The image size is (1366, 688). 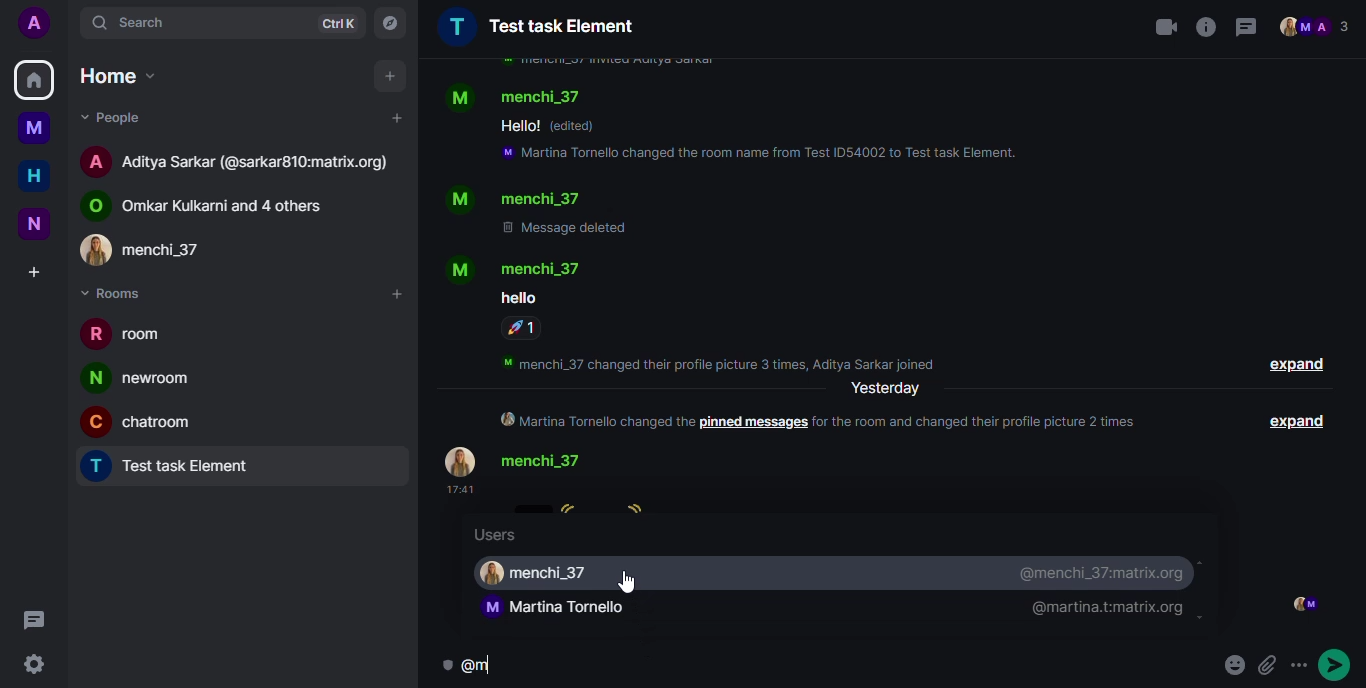 What do you see at coordinates (577, 126) in the screenshot?
I see `edited` at bounding box center [577, 126].